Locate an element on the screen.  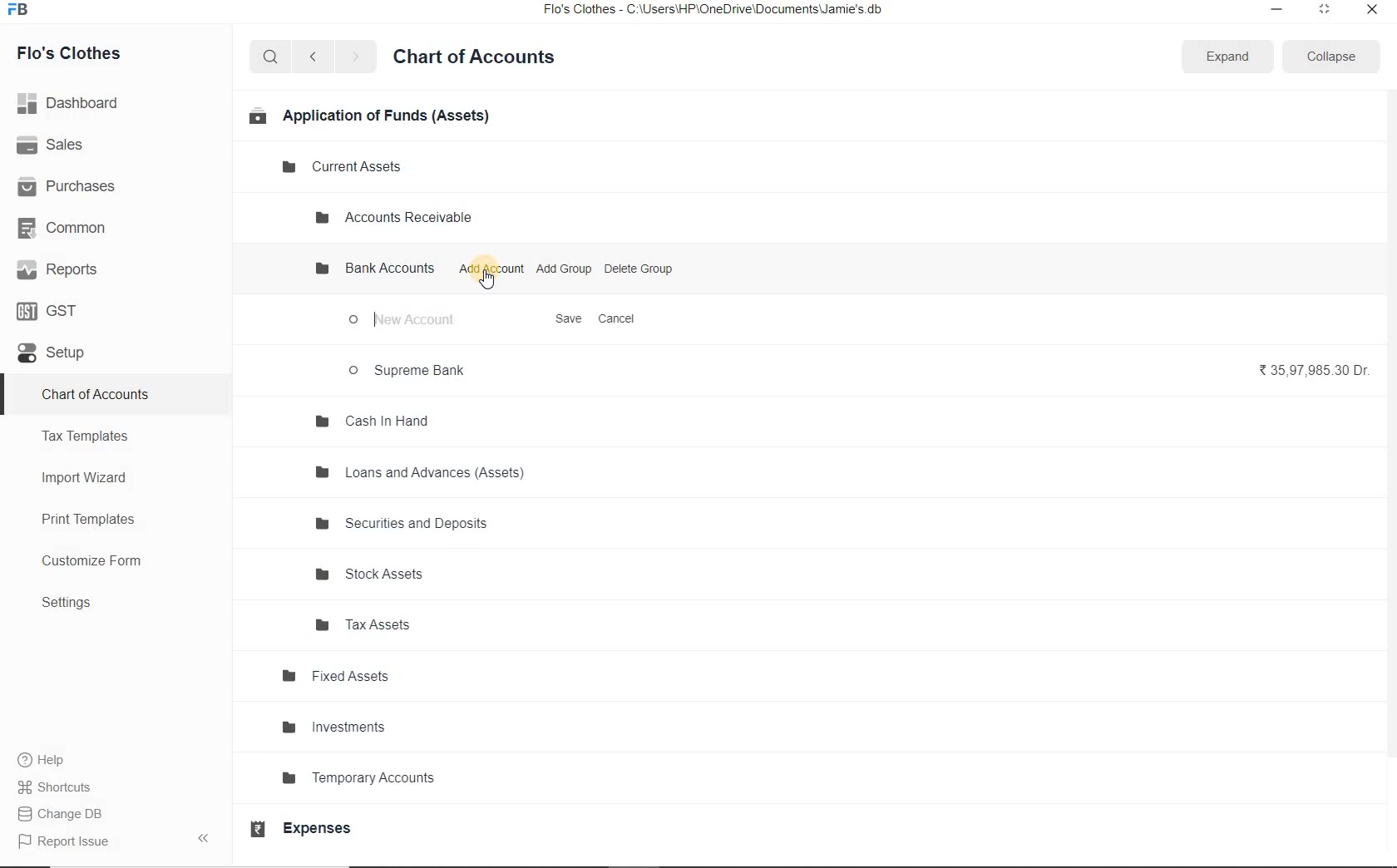
Tax Assets is located at coordinates (393, 629).